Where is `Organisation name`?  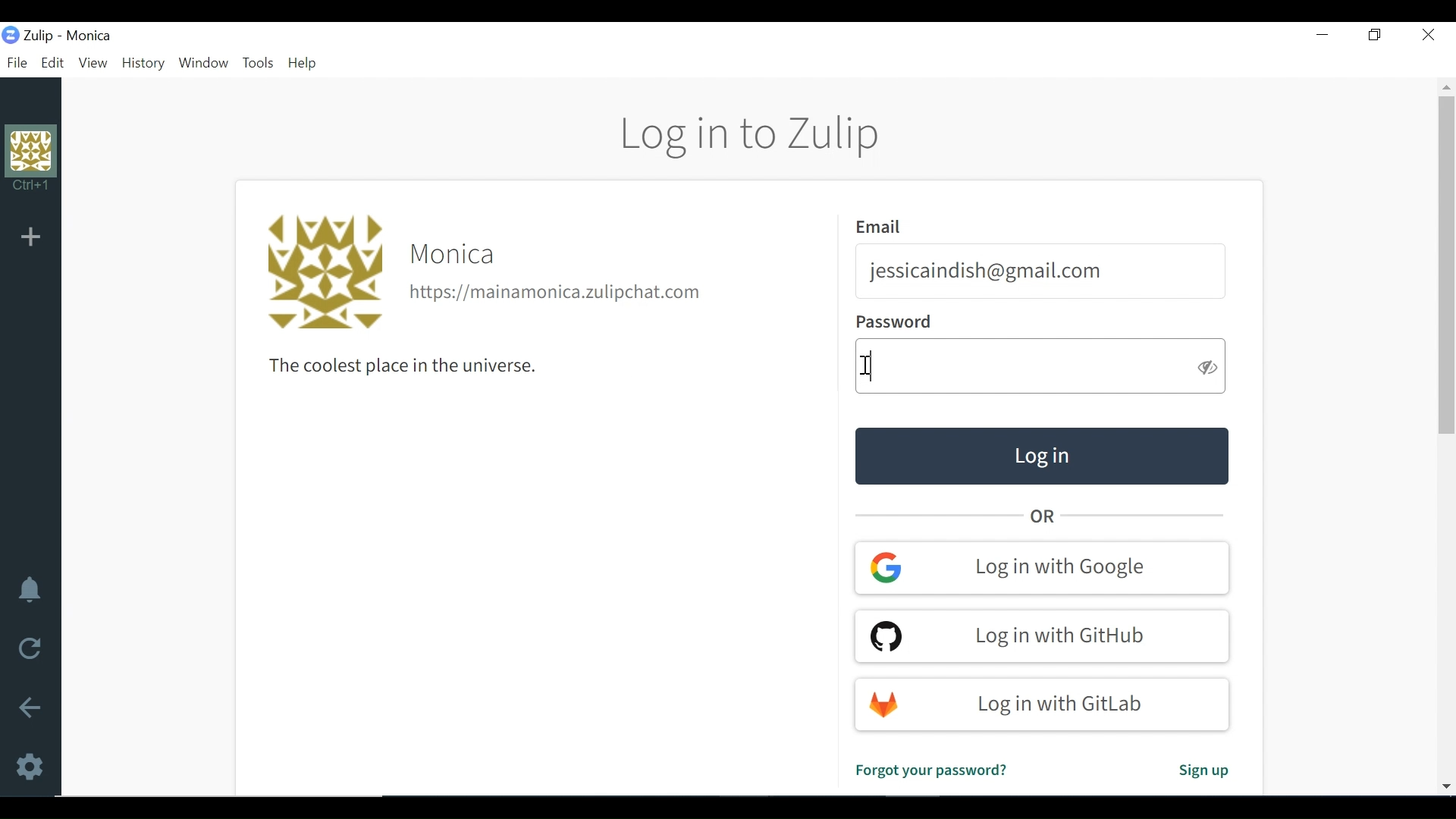
Organisation name is located at coordinates (89, 36).